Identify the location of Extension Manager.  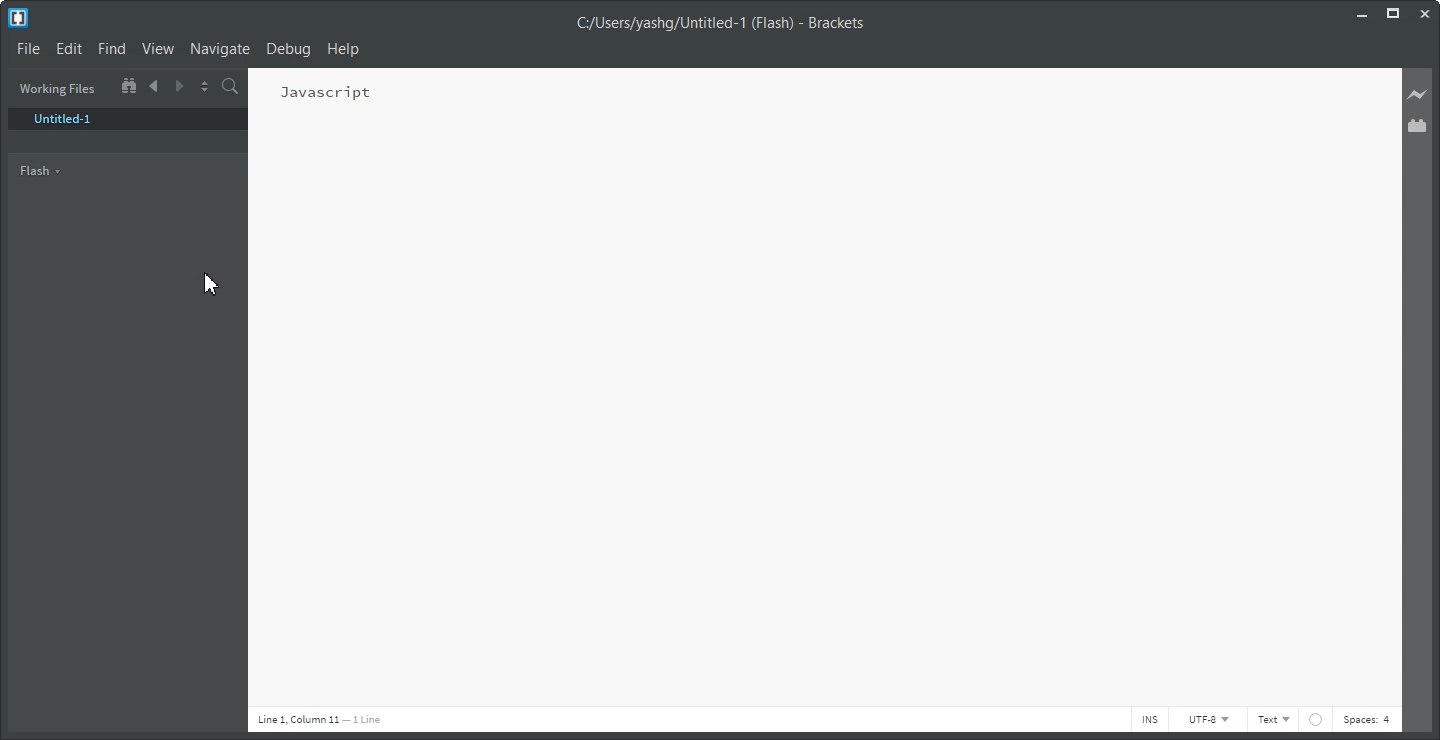
(1418, 125).